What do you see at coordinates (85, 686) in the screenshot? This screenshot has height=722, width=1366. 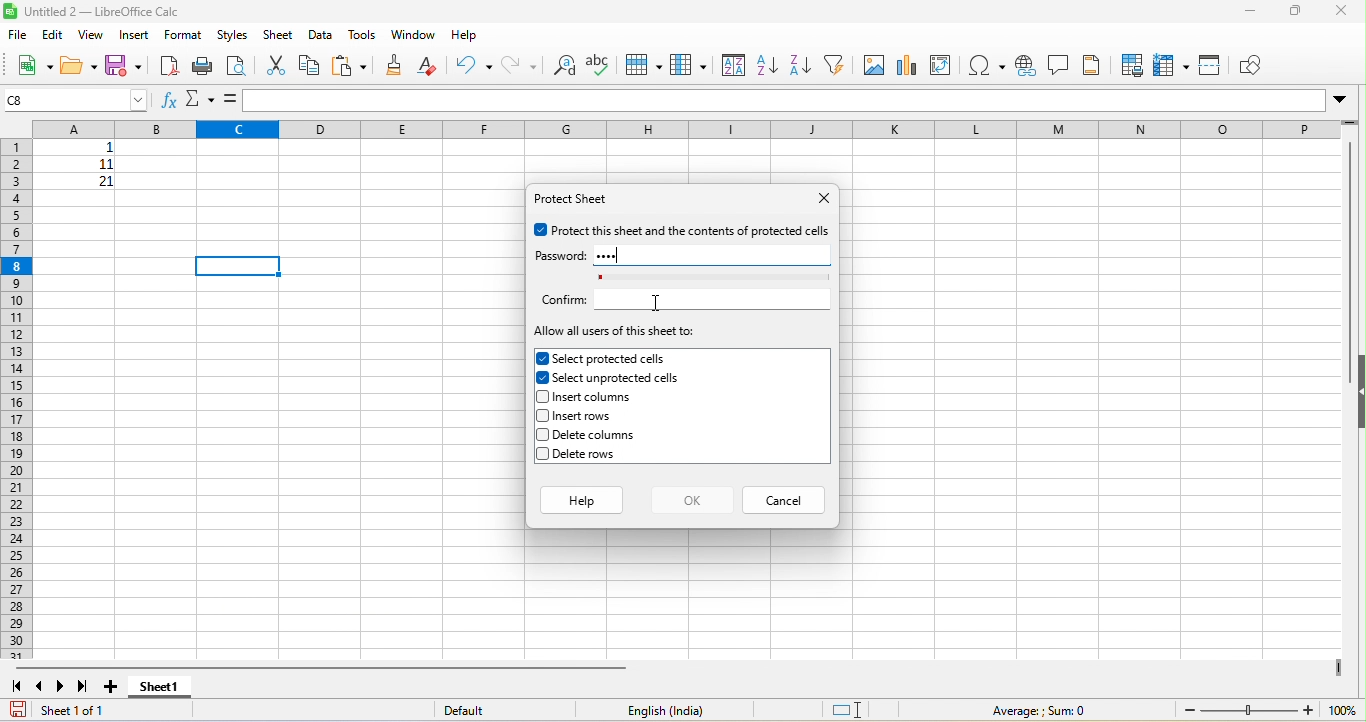 I see `last sheet` at bounding box center [85, 686].